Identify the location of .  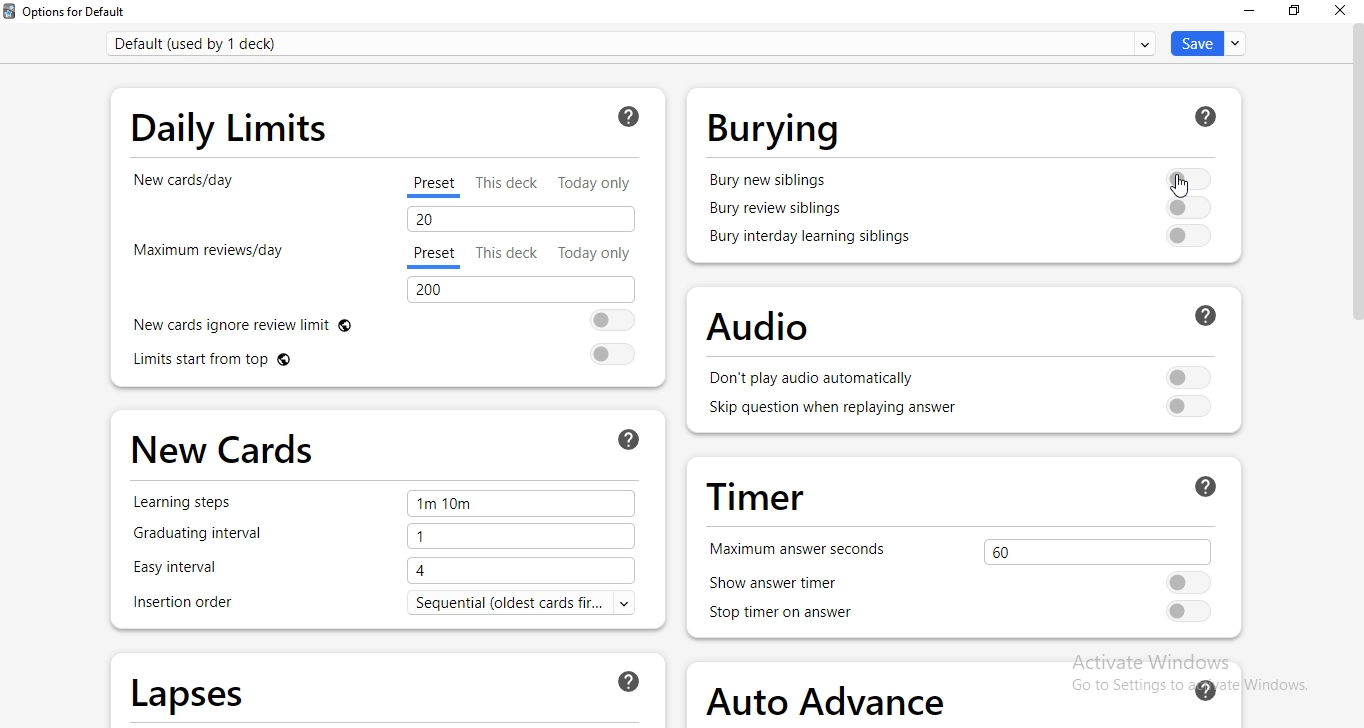
(1214, 315).